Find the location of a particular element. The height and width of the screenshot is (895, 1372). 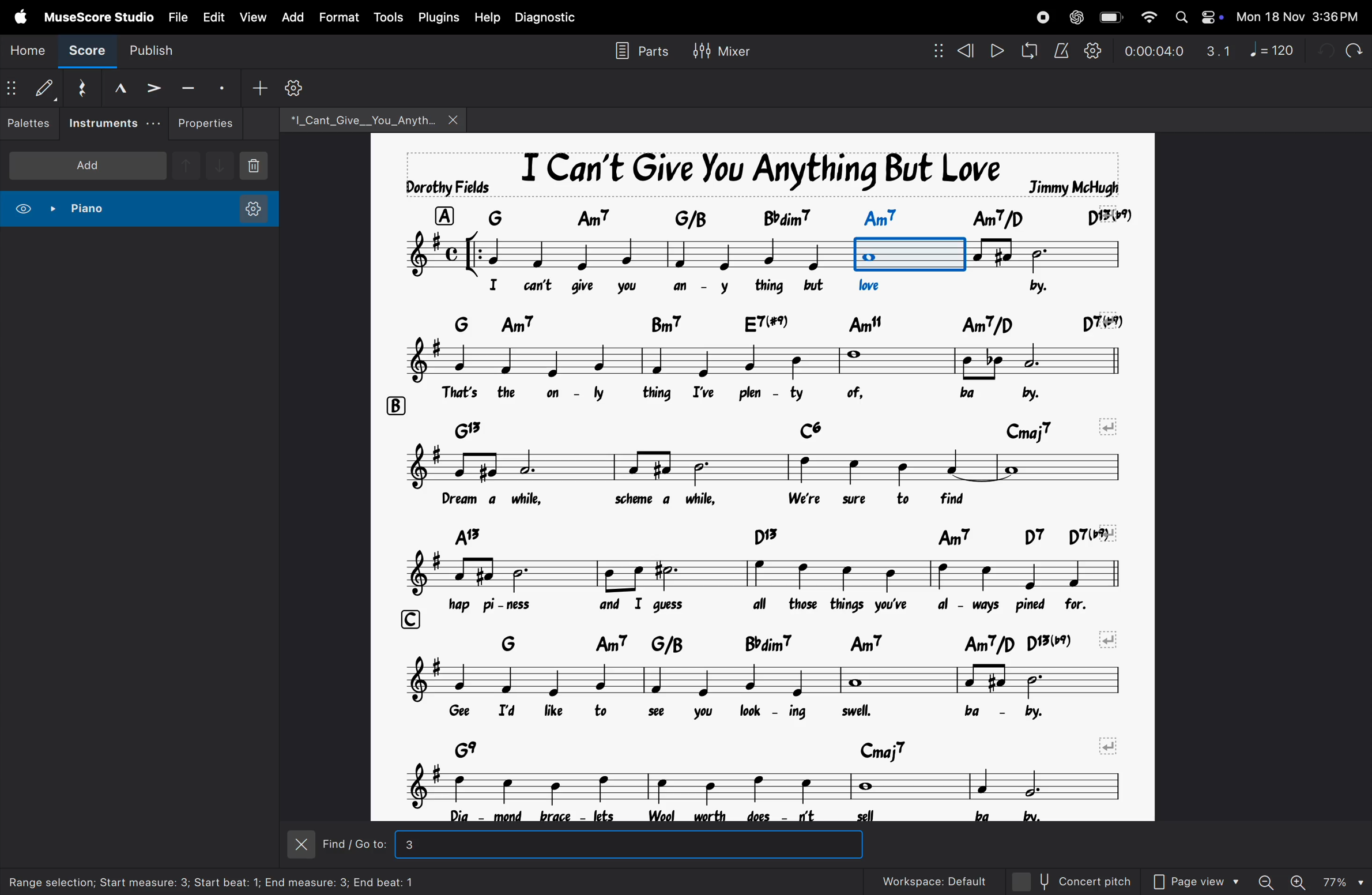

view is located at coordinates (252, 17).